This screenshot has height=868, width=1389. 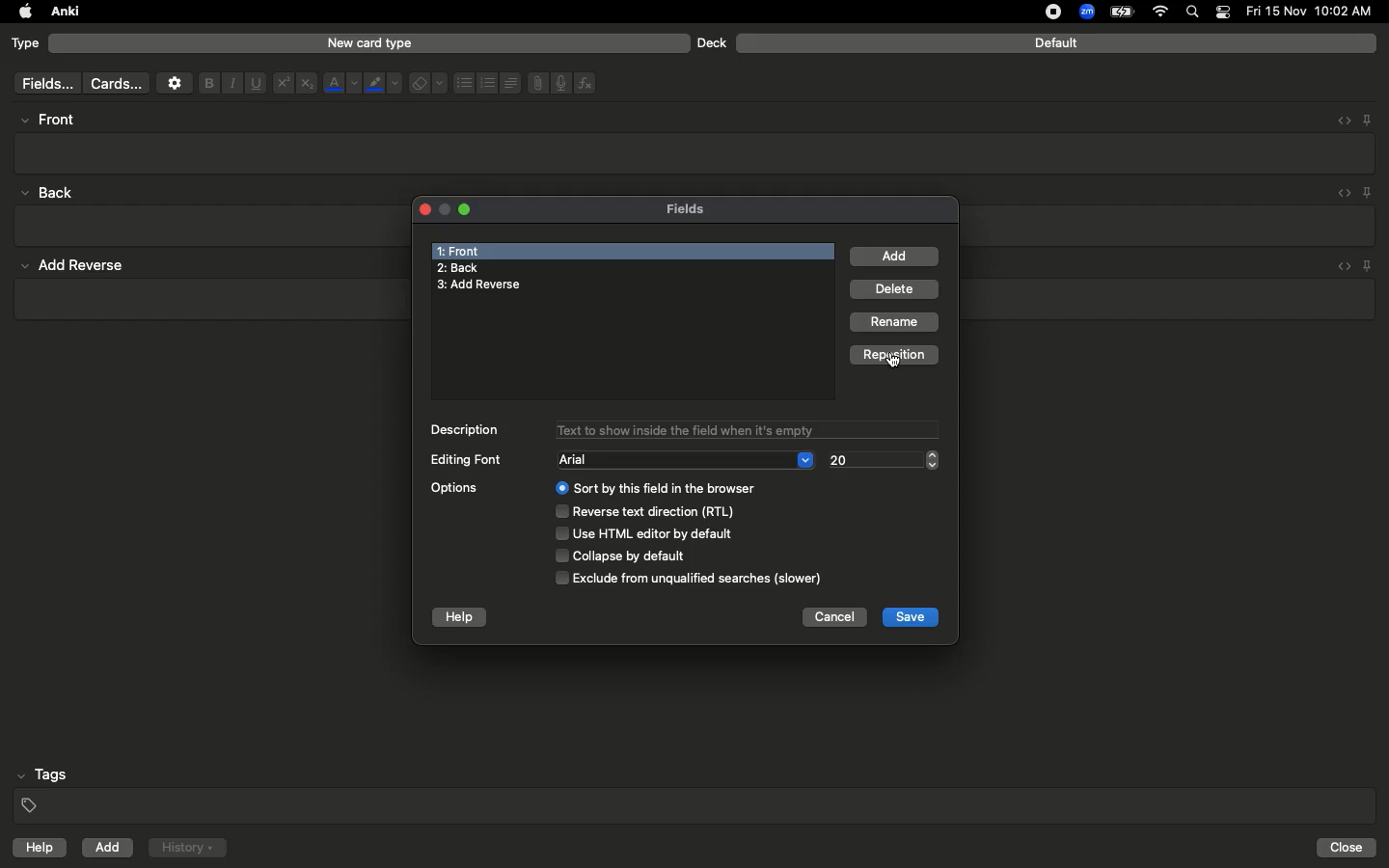 I want to click on New card type, so click(x=368, y=42).